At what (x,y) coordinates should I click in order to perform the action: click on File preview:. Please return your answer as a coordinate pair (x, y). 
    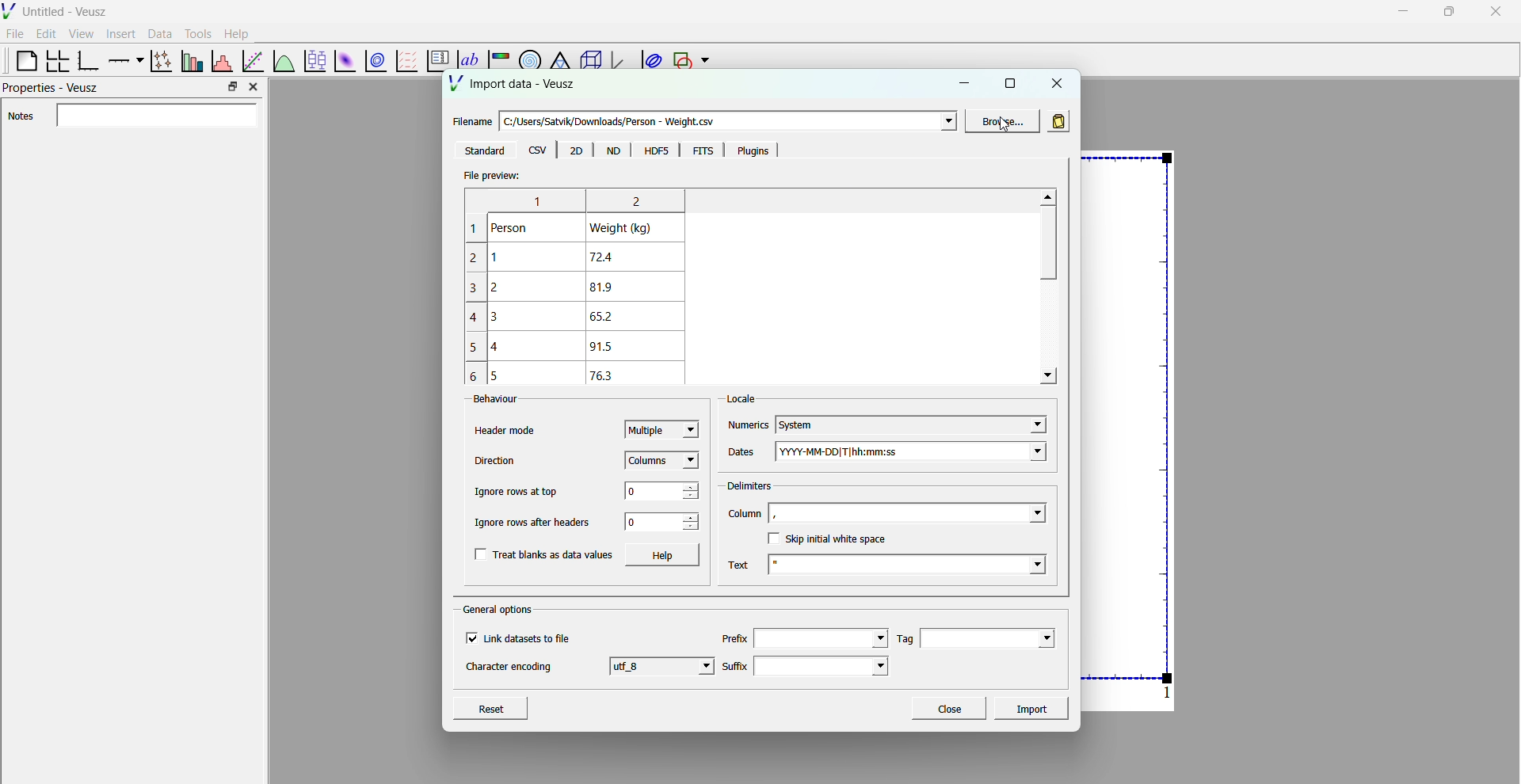
    Looking at the image, I should click on (491, 176).